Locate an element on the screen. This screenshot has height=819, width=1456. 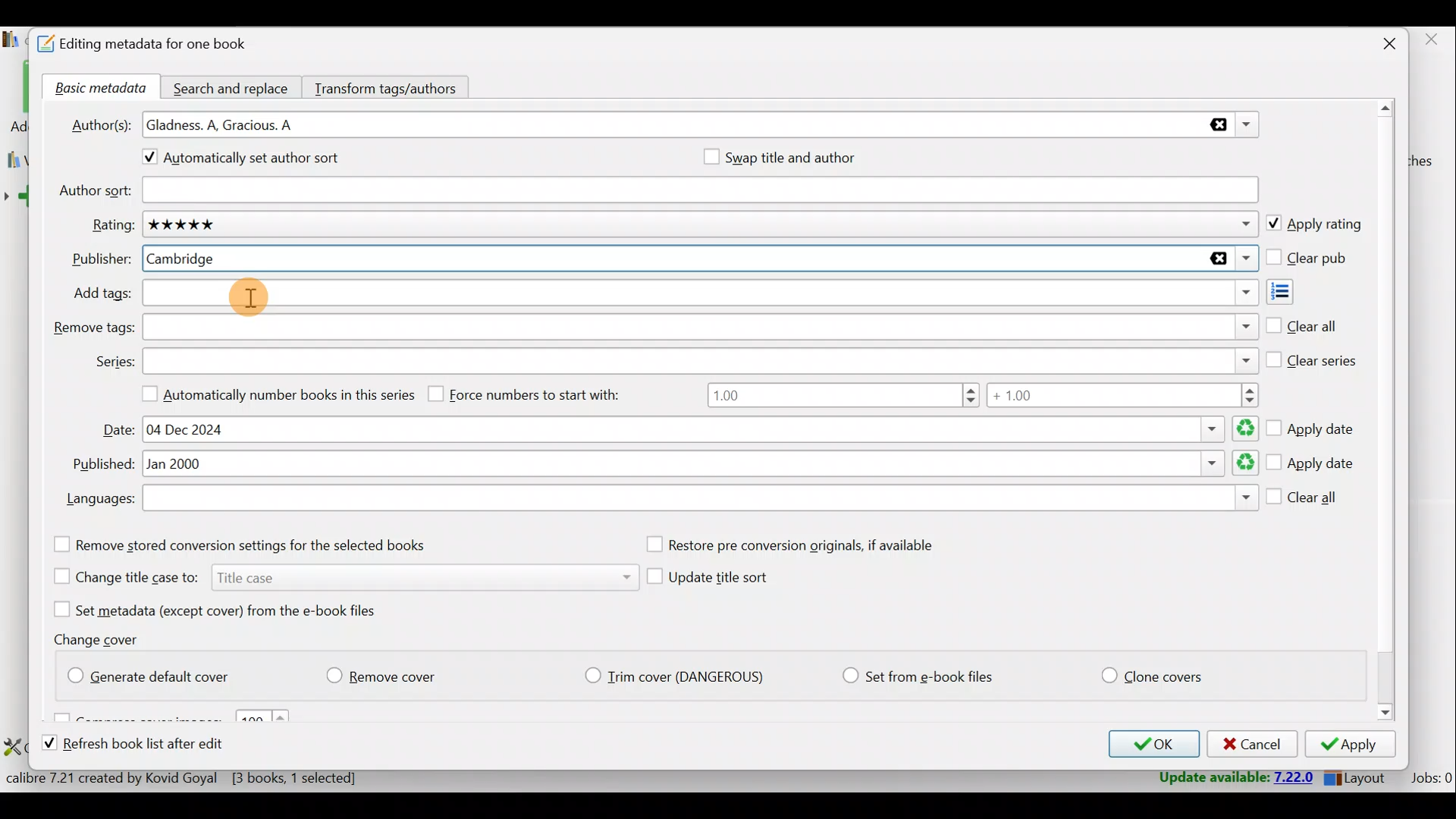
Update is located at coordinates (1234, 778).